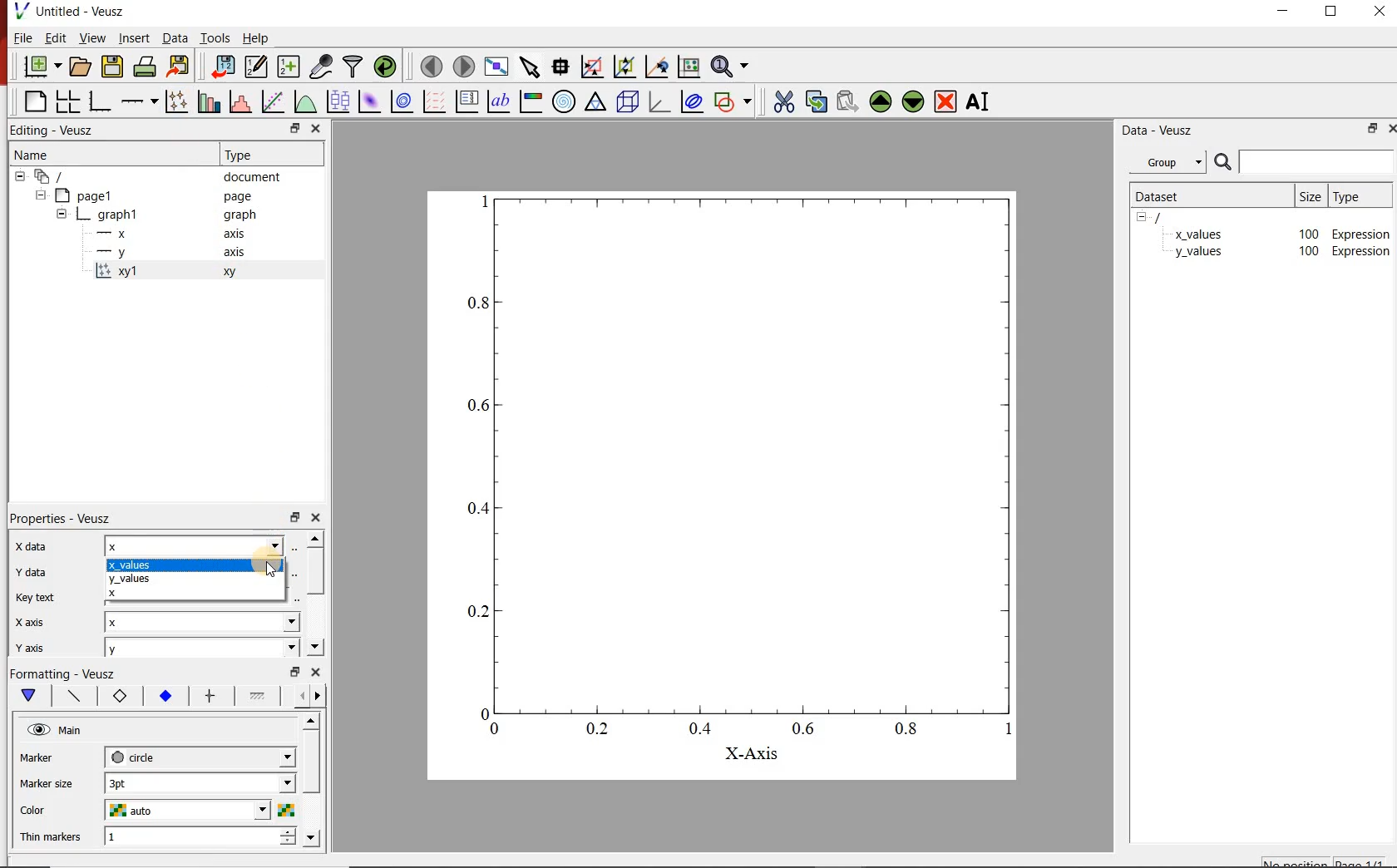 The width and height of the screenshot is (1397, 868). What do you see at coordinates (845, 104) in the screenshot?
I see `paste the selected widget` at bounding box center [845, 104].